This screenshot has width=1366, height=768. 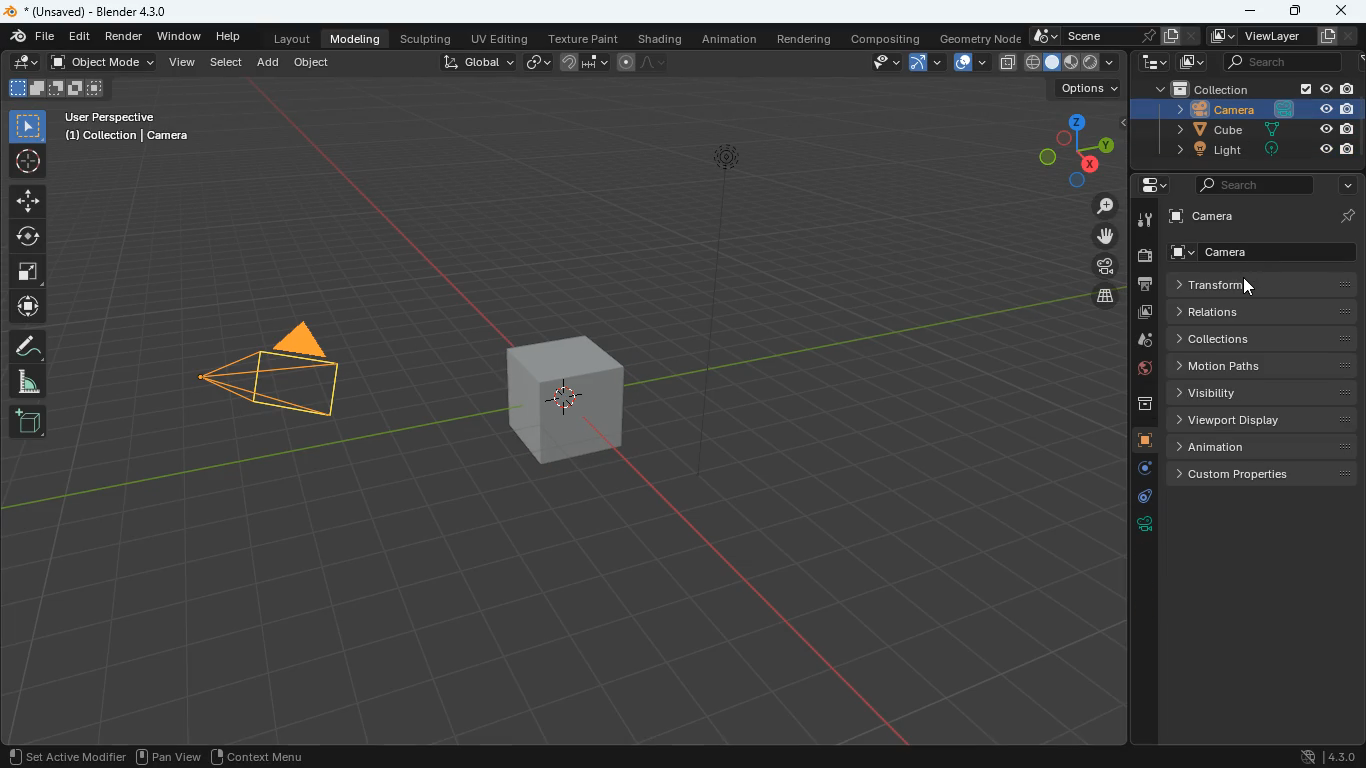 I want to click on blender, so click(x=28, y=37).